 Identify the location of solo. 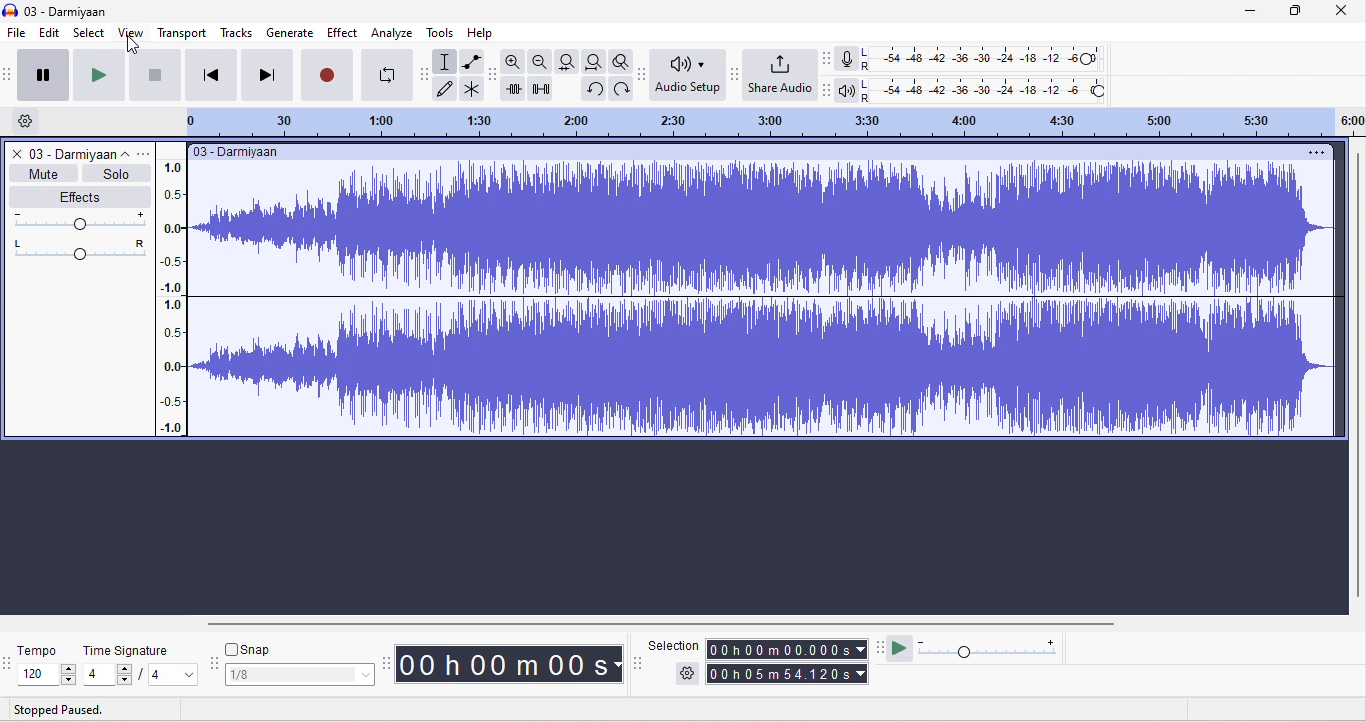
(117, 174).